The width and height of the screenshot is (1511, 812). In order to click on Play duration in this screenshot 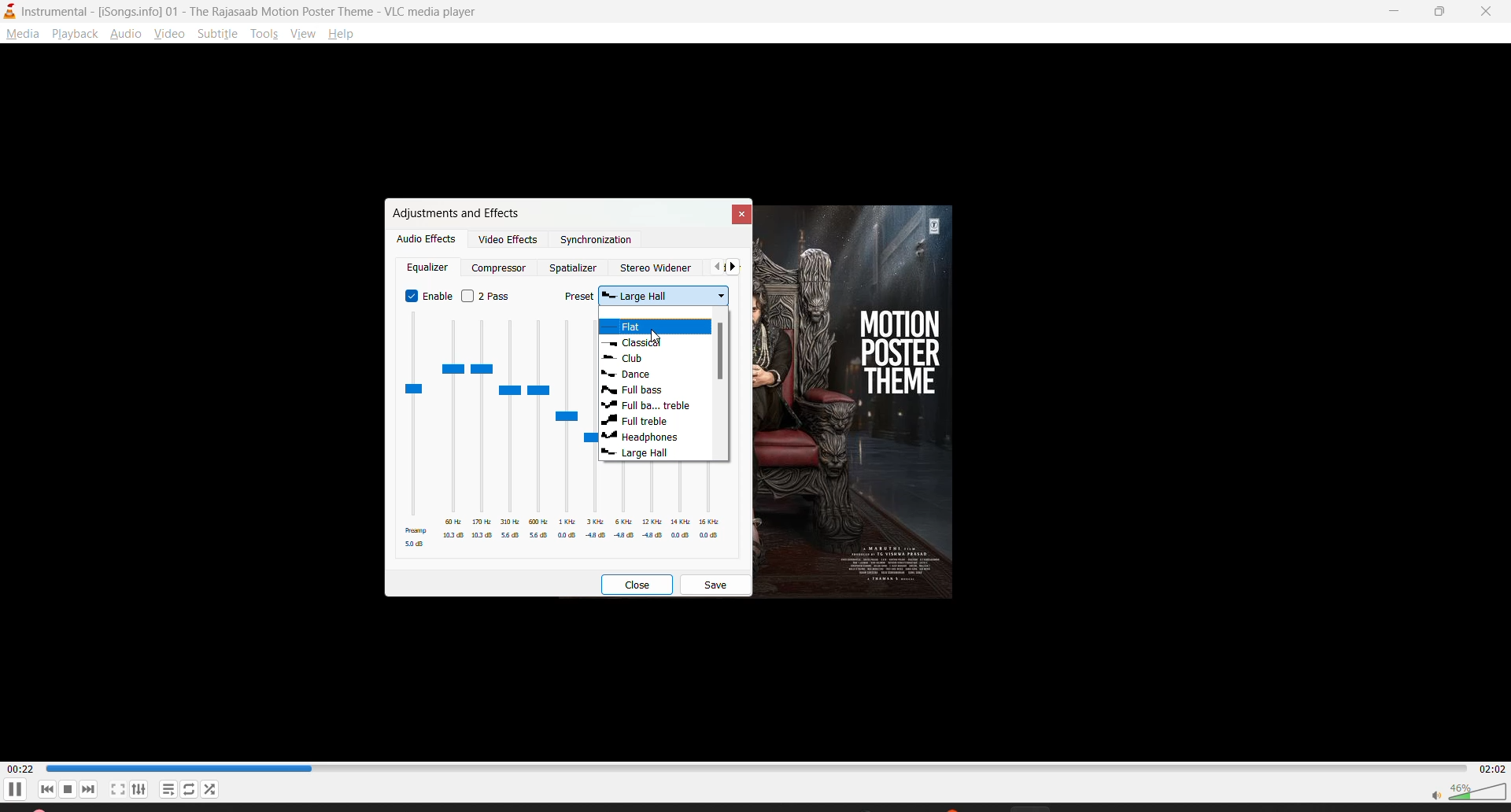, I will do `click(753, 768)`.